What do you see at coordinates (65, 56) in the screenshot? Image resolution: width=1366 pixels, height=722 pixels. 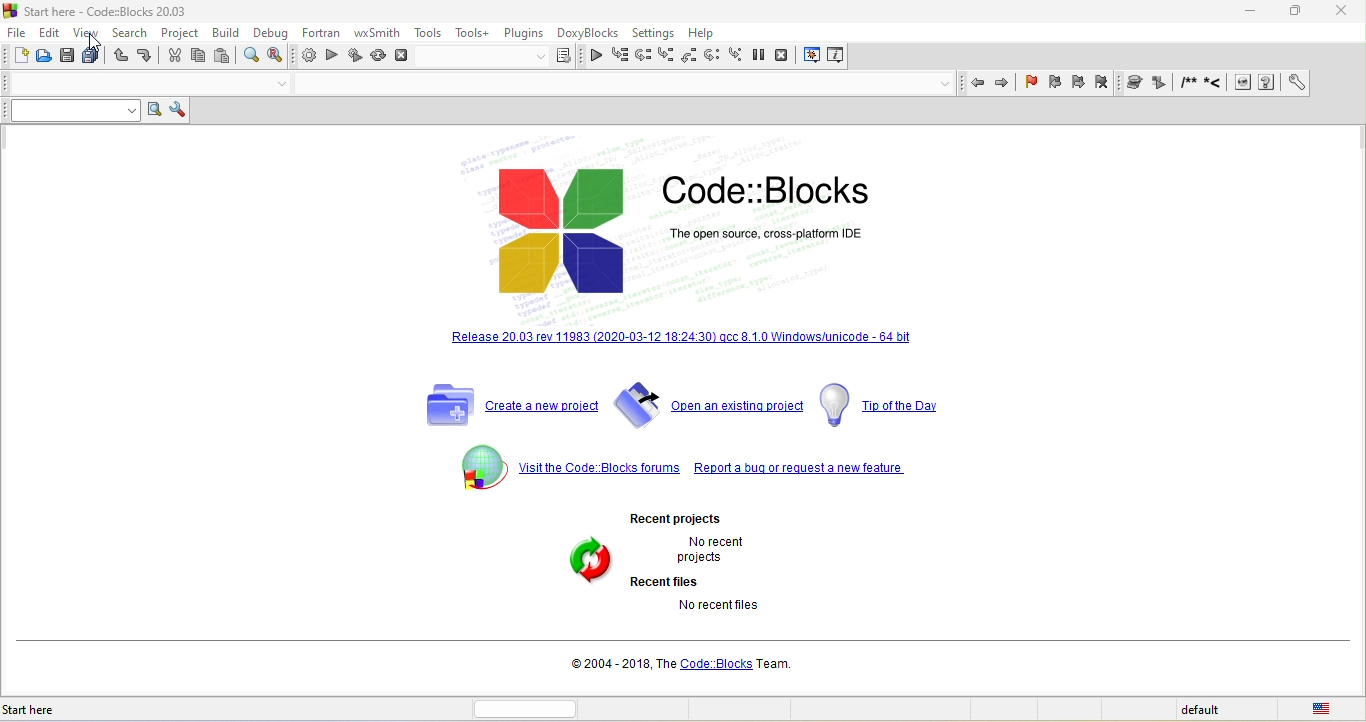 I see `save` at bounding box center [65, 56].